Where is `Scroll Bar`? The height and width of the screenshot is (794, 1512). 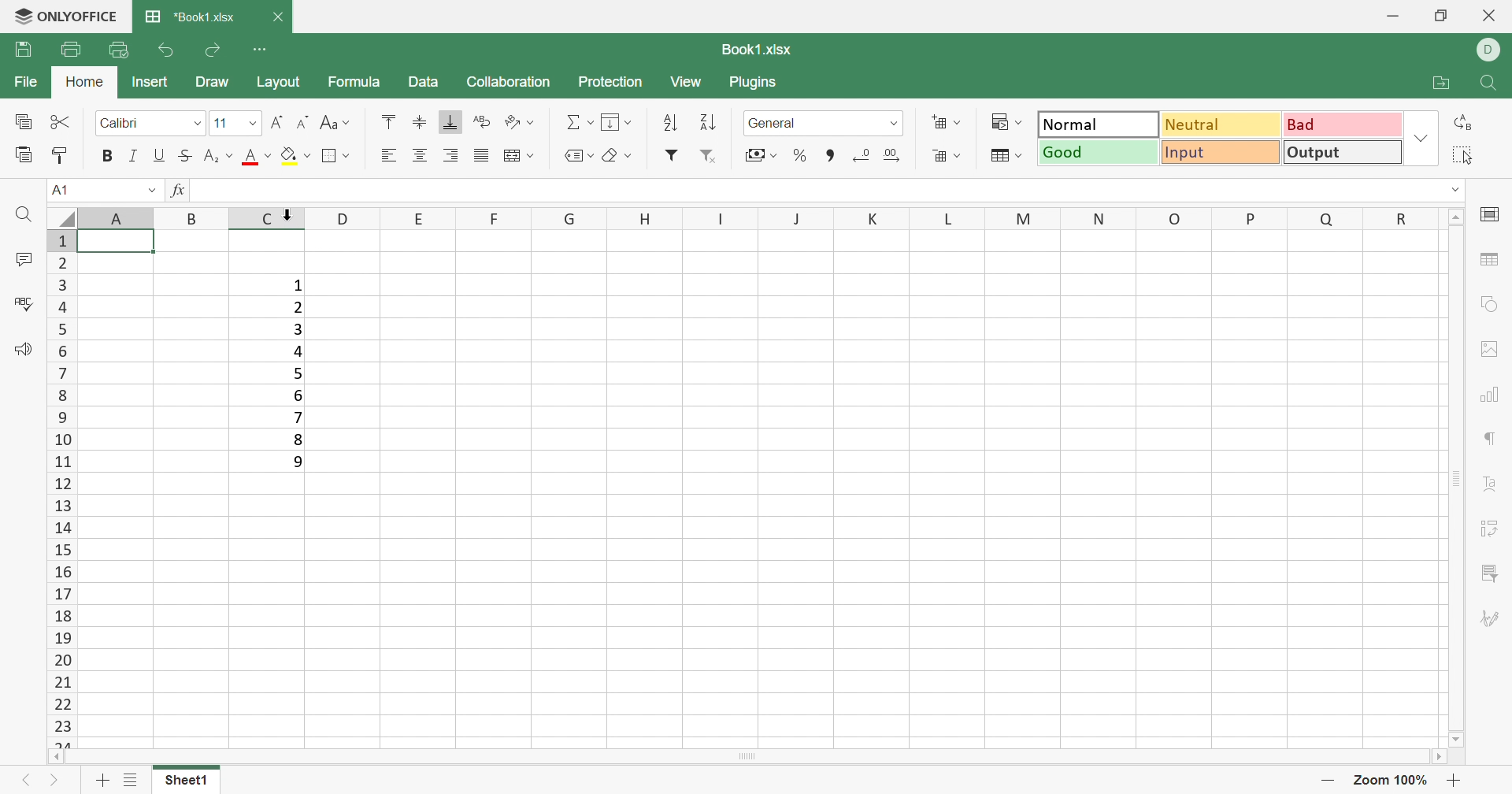
Scroll Bar is located at coordinates (752, 757).